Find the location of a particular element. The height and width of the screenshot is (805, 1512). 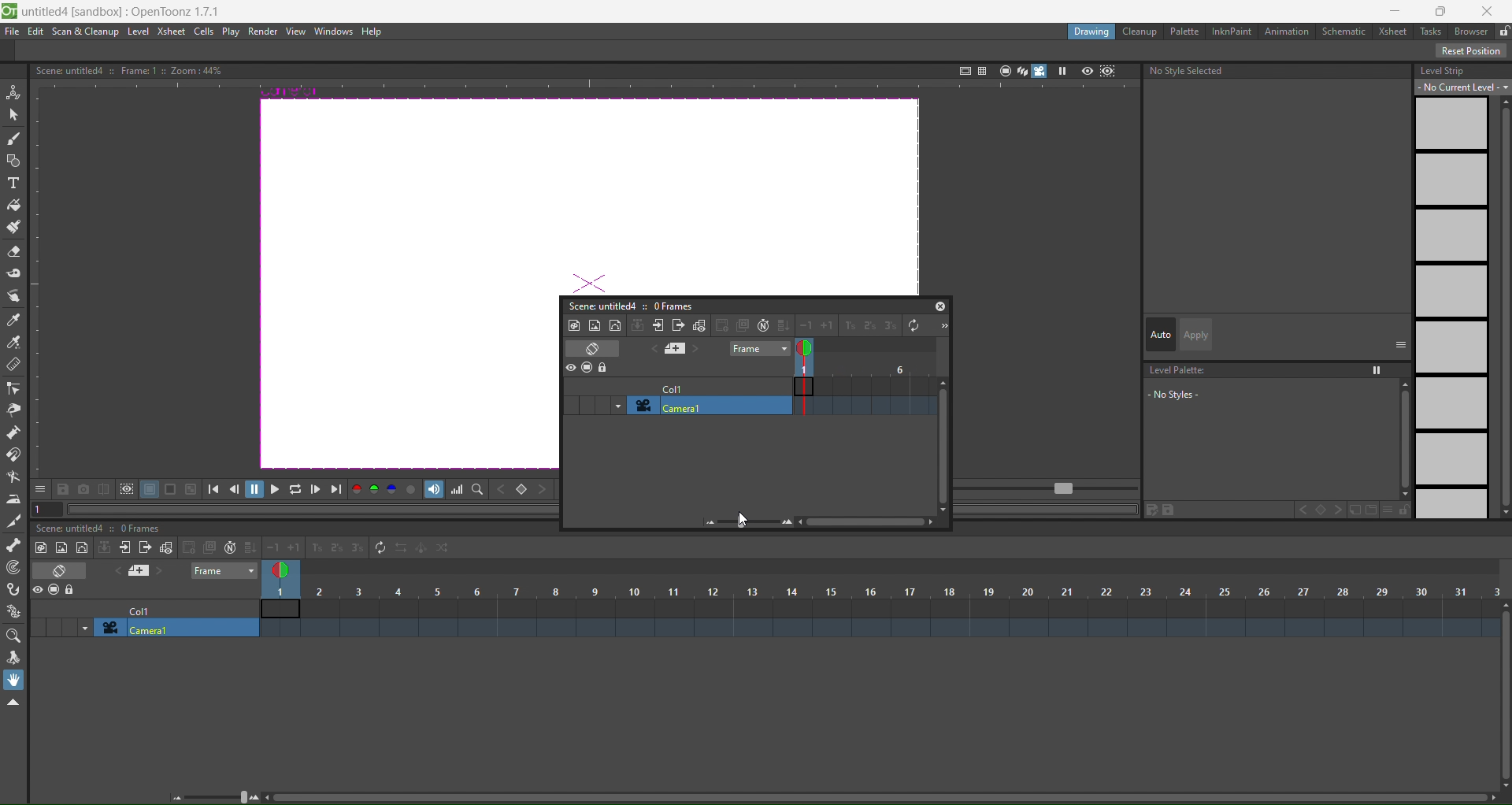

scan & cleanup is located at coordinates (86, 32).